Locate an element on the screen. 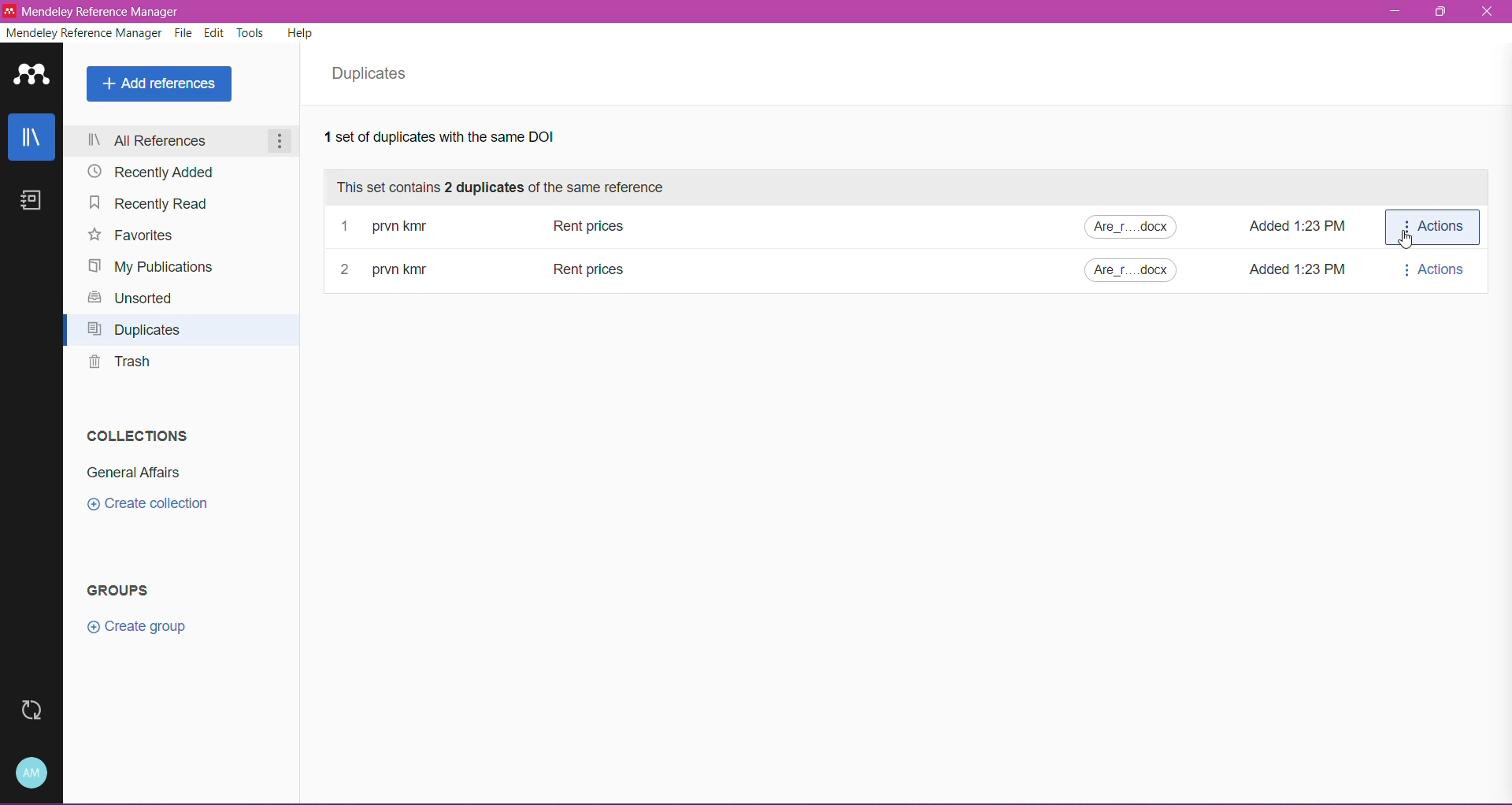  Application Logo is located at coordinates (31, 76).